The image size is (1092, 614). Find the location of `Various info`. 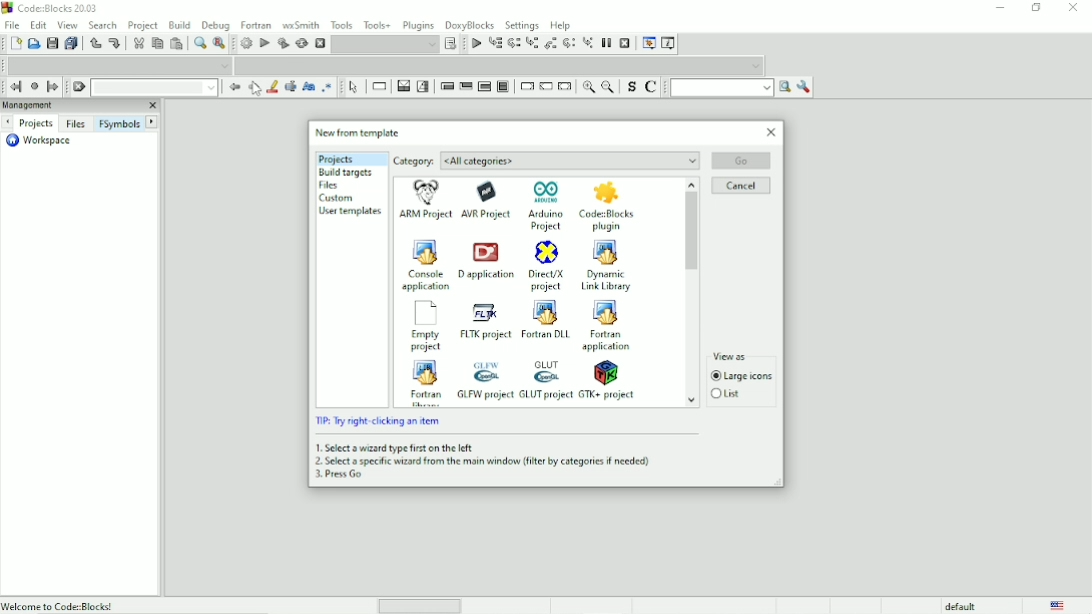

Various info is located at coordinates (670, 42).